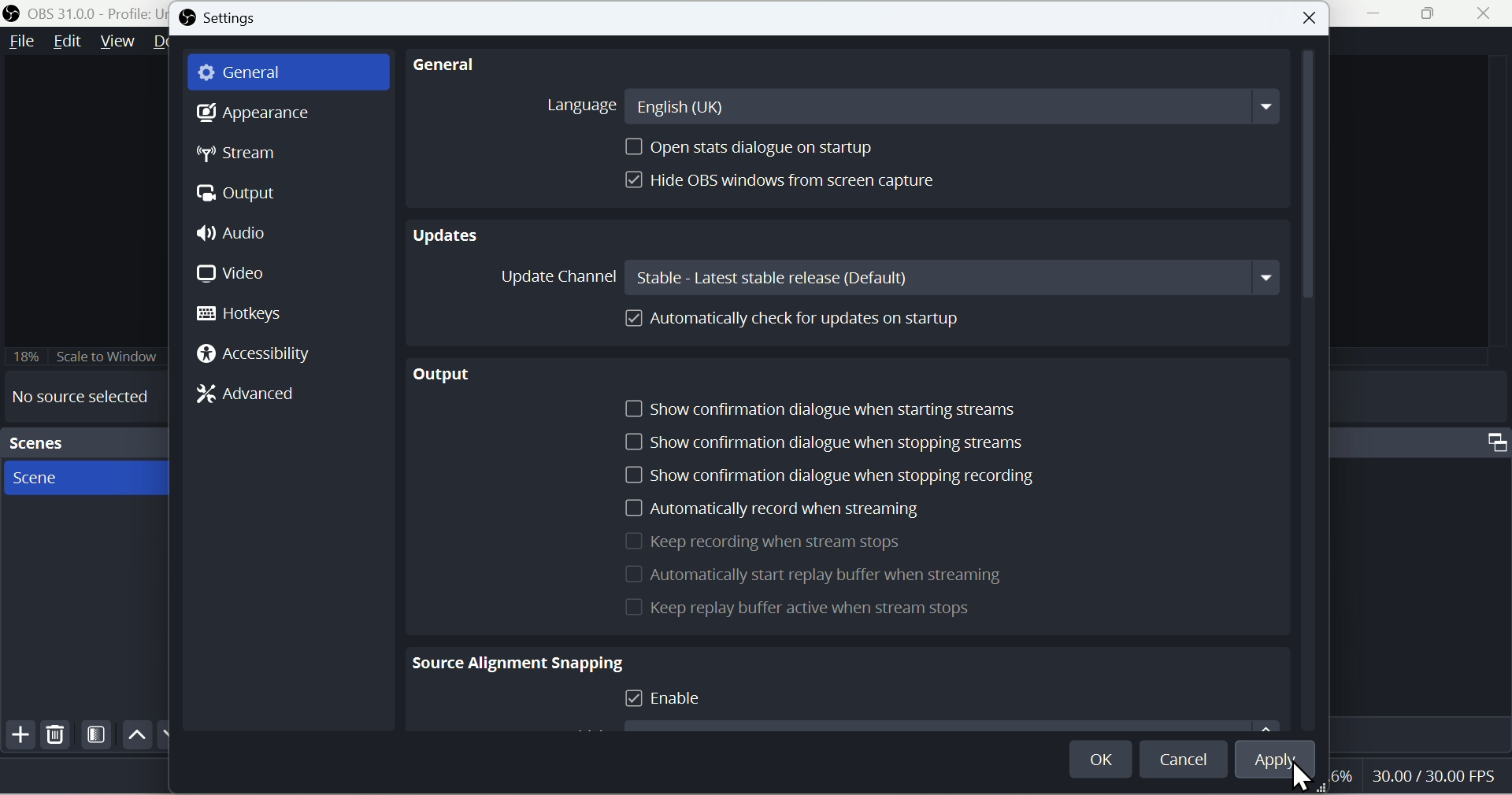 The height and width of the screenshot is (795, 1512). I want to click on File, so click(18, 44).